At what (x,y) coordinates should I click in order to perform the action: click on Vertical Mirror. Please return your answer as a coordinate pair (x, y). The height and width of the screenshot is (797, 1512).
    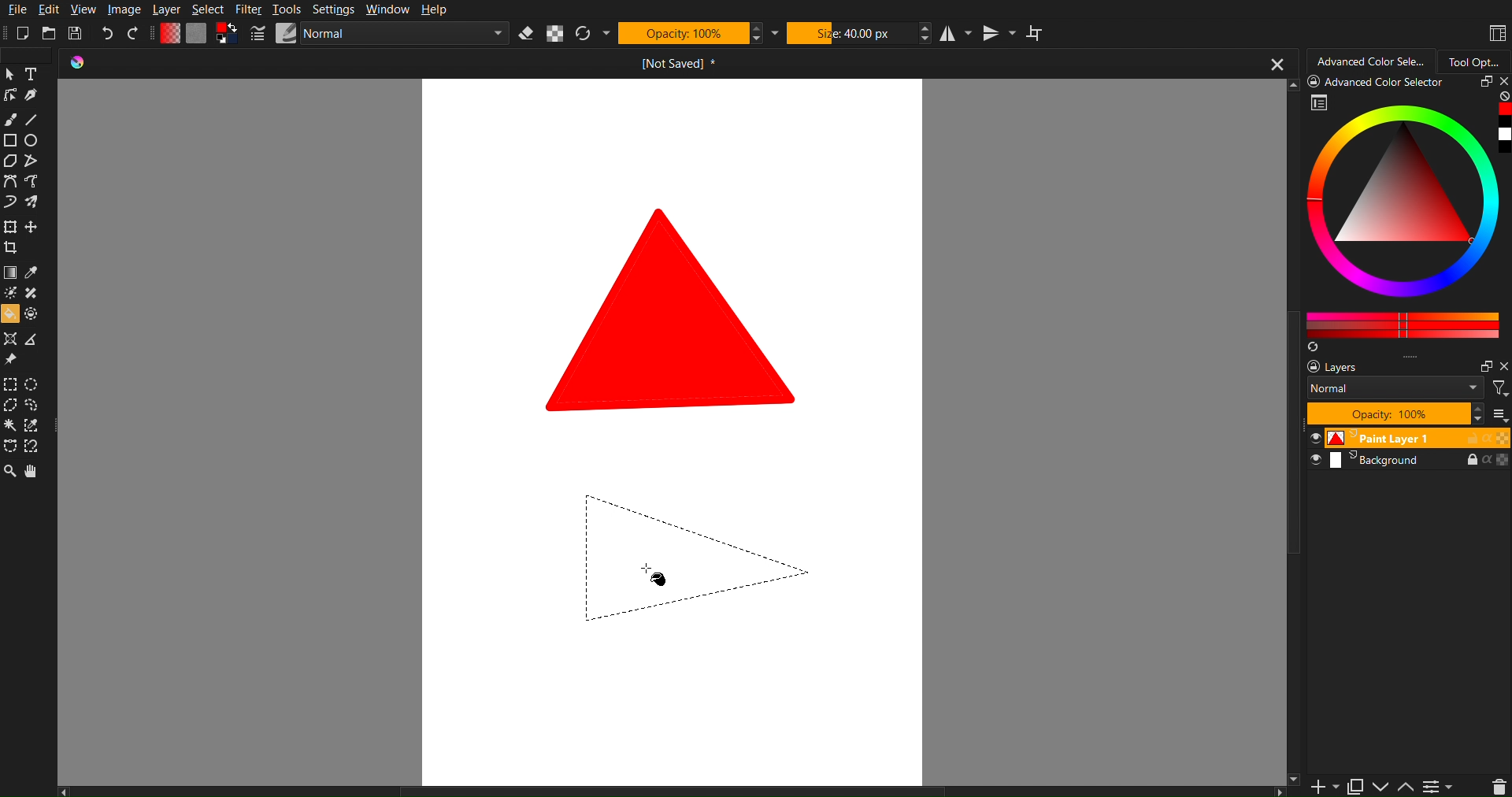
    Looking at the image, I should click on (999, 34).